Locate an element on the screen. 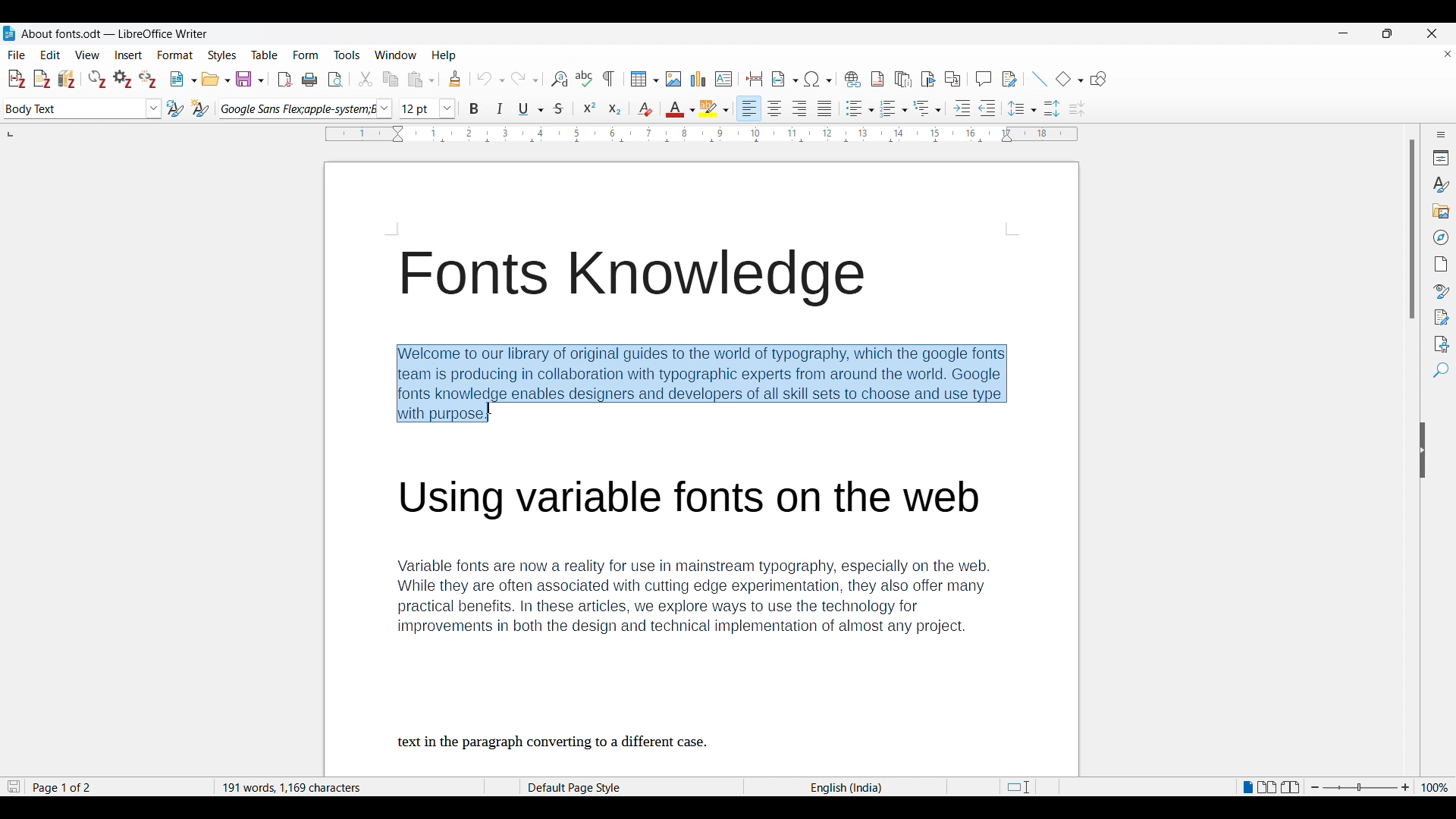 The image size is (1456, 819). Insert image is located at coordinates (673, 79).